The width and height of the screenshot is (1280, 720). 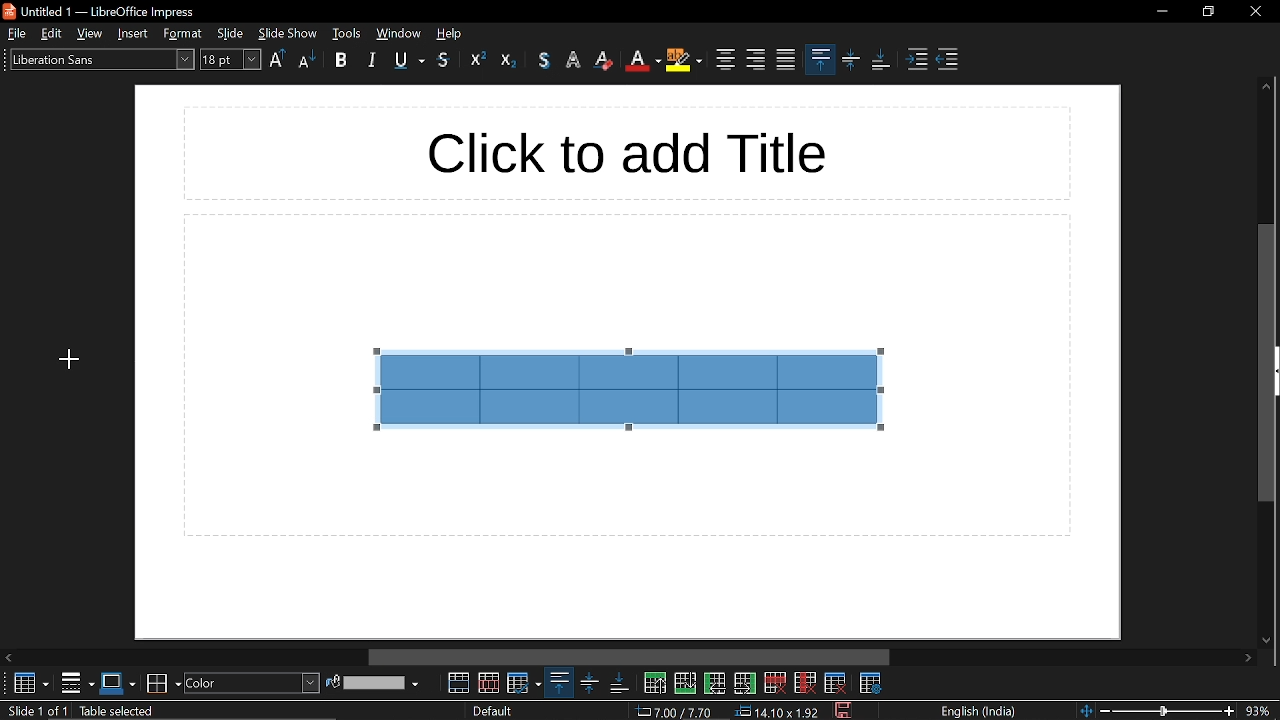 What do you see at coordinates (445, 63) in the screenshot?
I see `strikethrough` at bounding box center [445, 63].